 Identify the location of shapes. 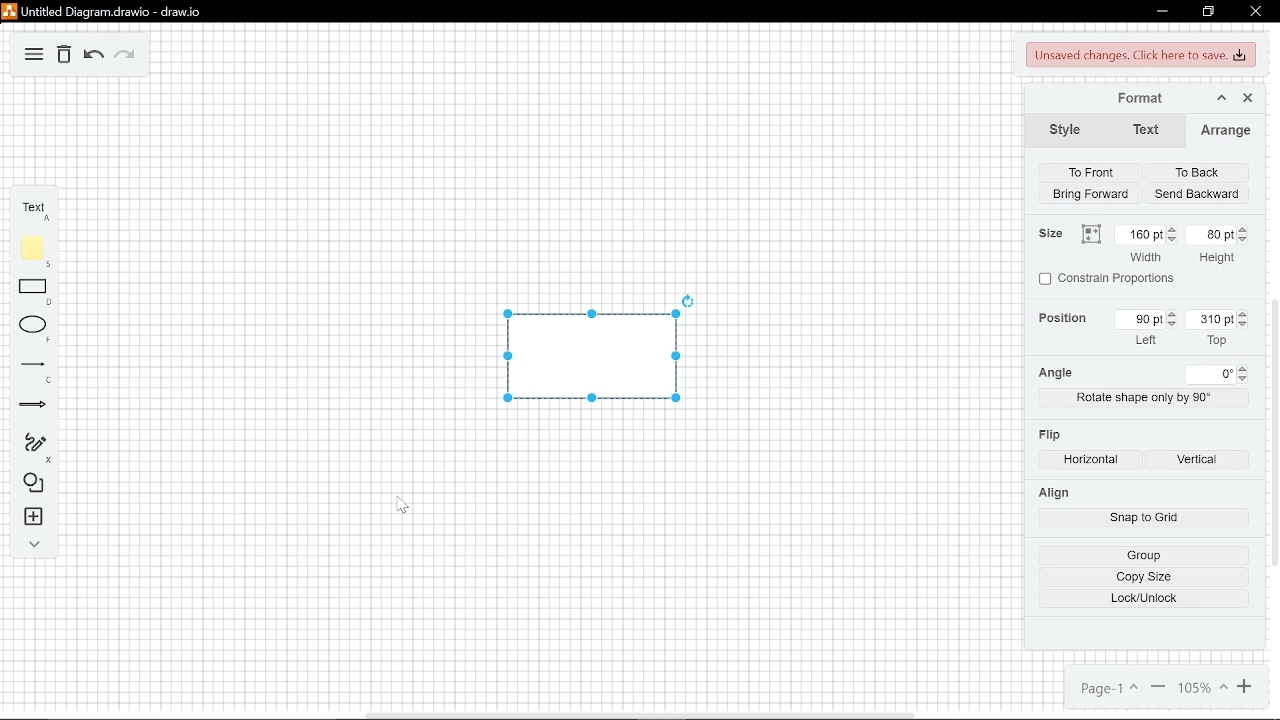
(36, 484).